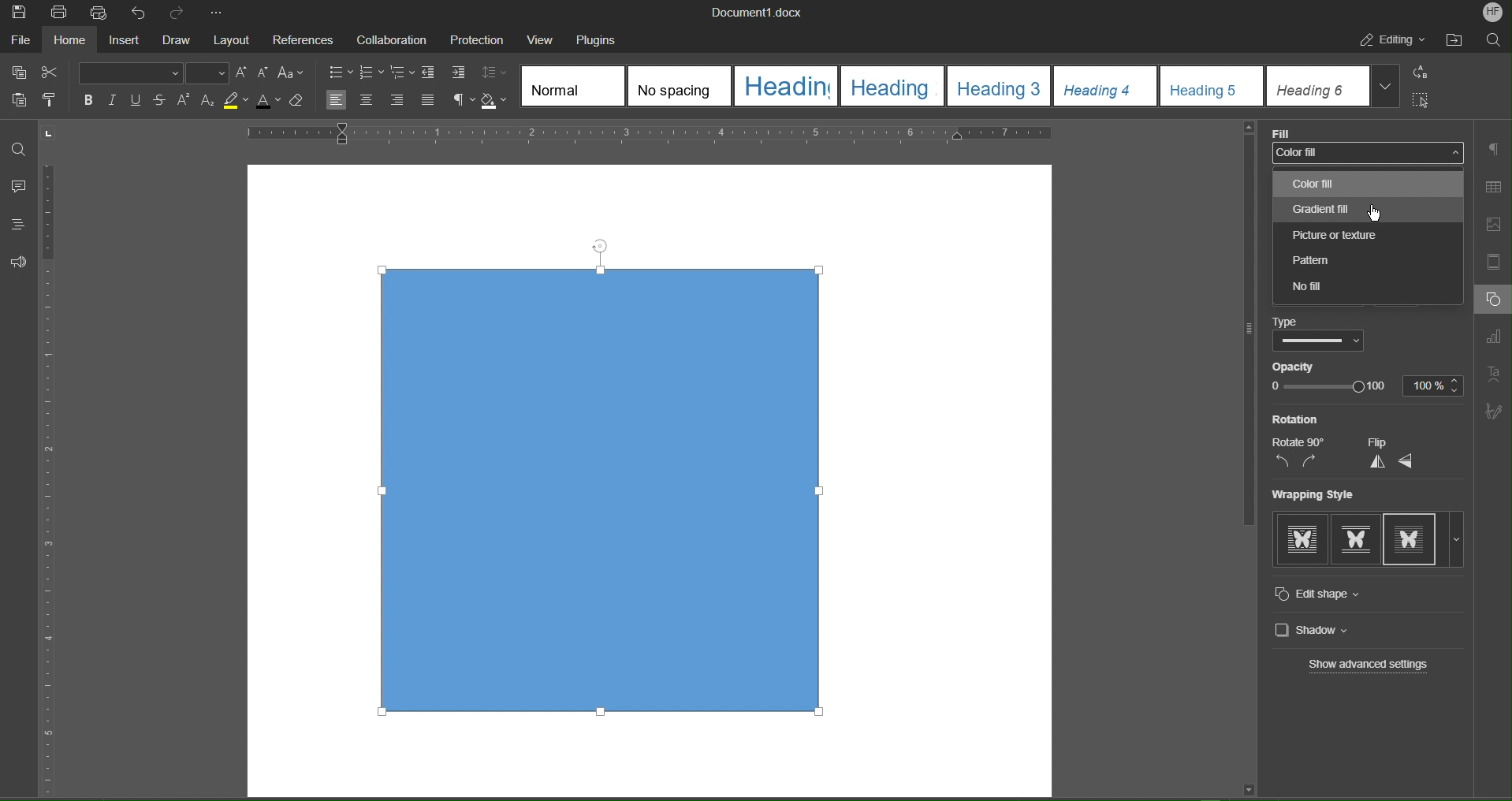 The image size is (1512, 801). Describe the element at coordinates (463, 101) in the screenshot. I see `Non-Printing Characters` at that location.